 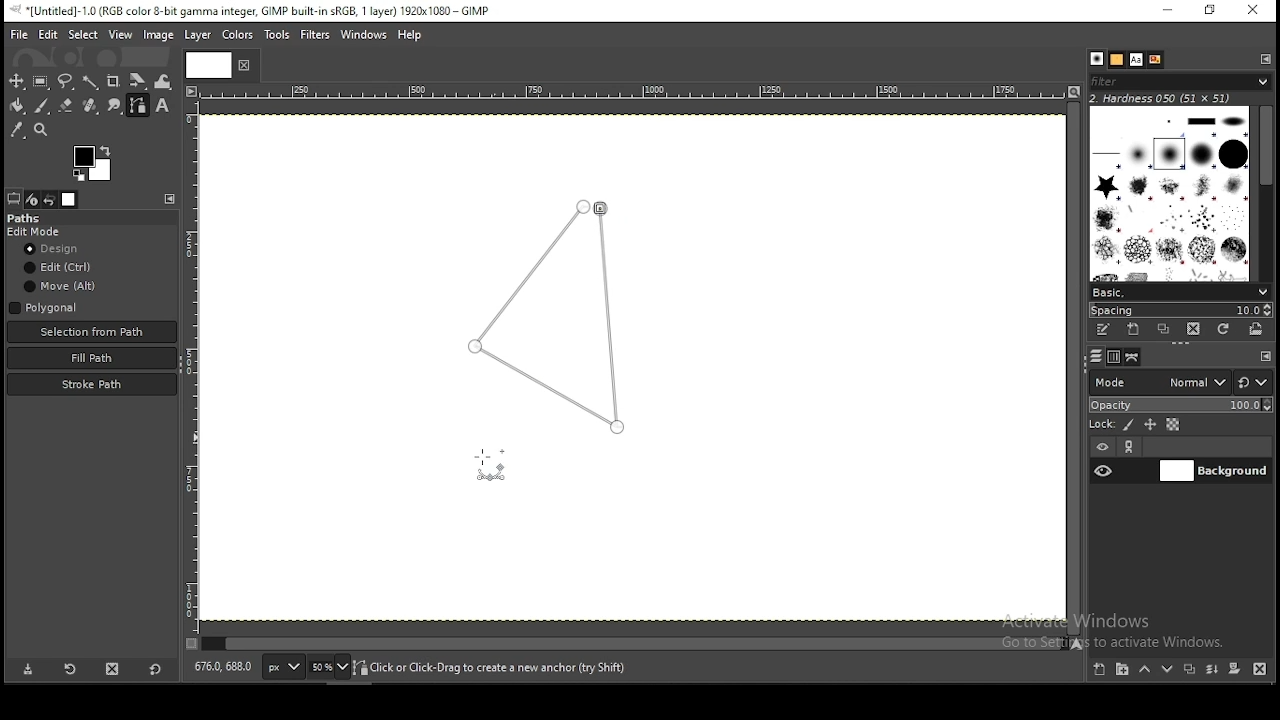 What do you see at coordinates (19, 35) in the screenshot?
I see `file` at bounding box center [19, 35].